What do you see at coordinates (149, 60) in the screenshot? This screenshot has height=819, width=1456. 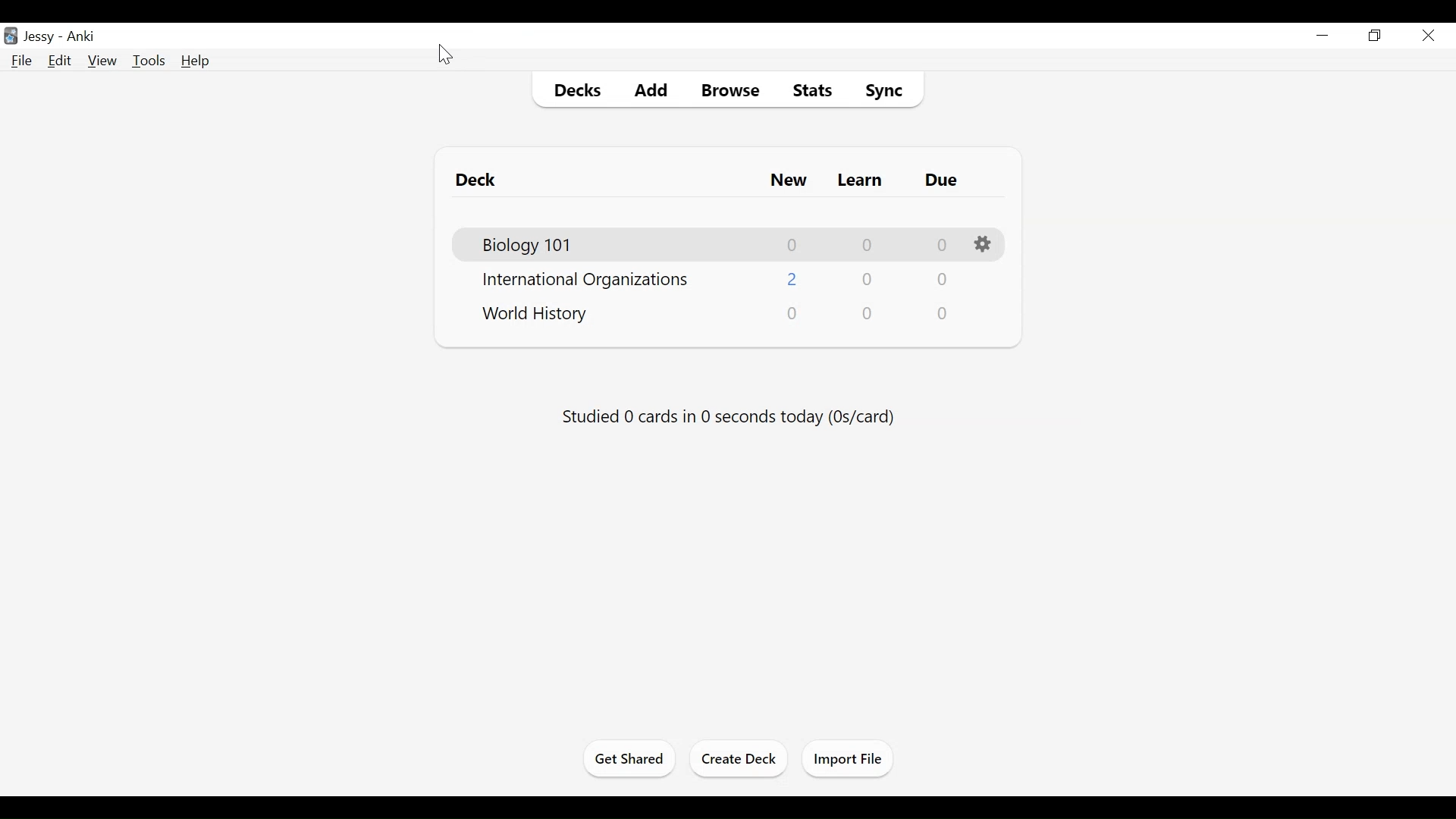 I see `Tools` at bounding box center [149, 60].